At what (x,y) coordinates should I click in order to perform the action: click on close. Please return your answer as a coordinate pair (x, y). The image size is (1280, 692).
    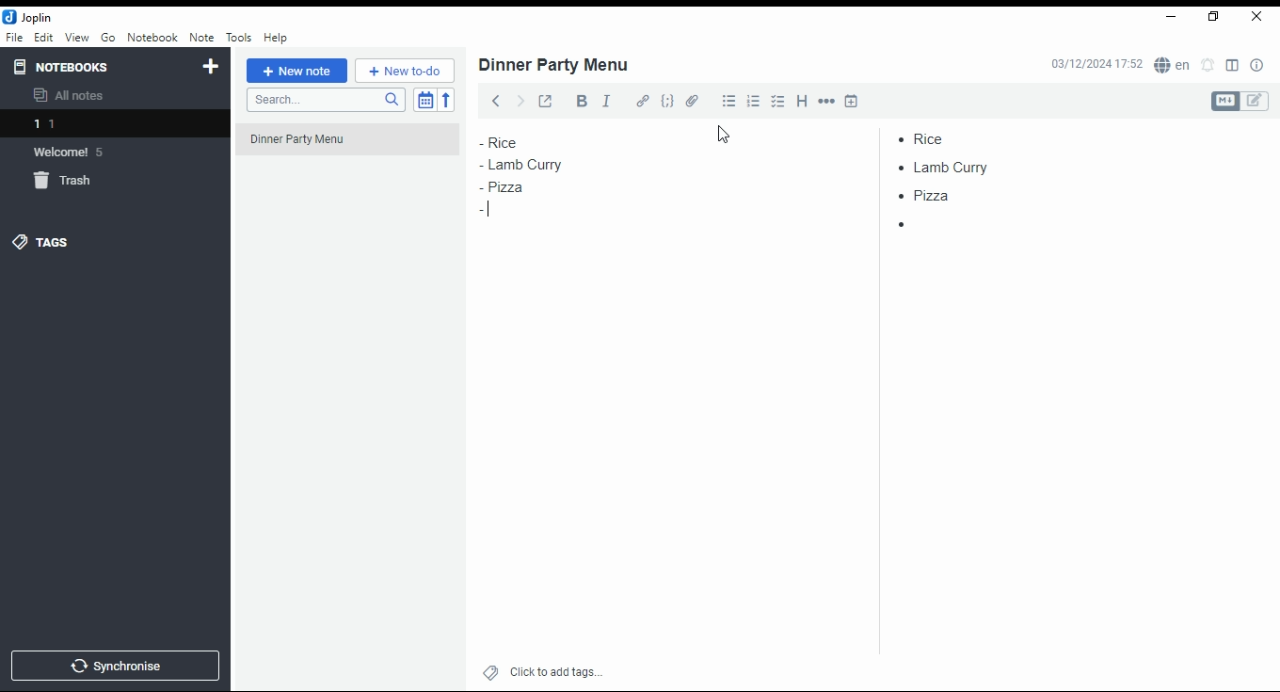
    Looking at the image, I should click on (1256, 18).